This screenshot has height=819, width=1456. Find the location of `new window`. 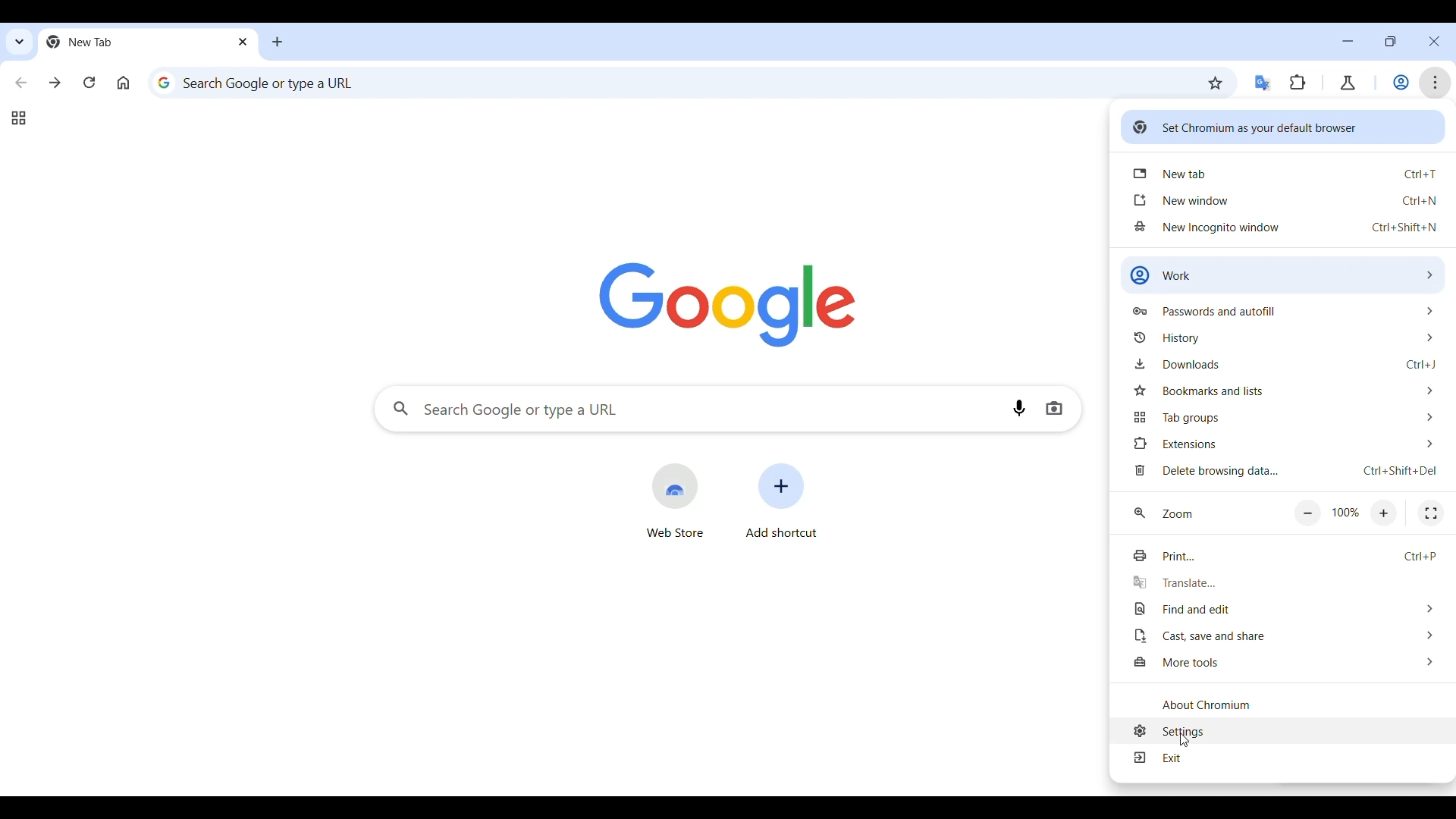

new window is located at coordinates (1285, 199).